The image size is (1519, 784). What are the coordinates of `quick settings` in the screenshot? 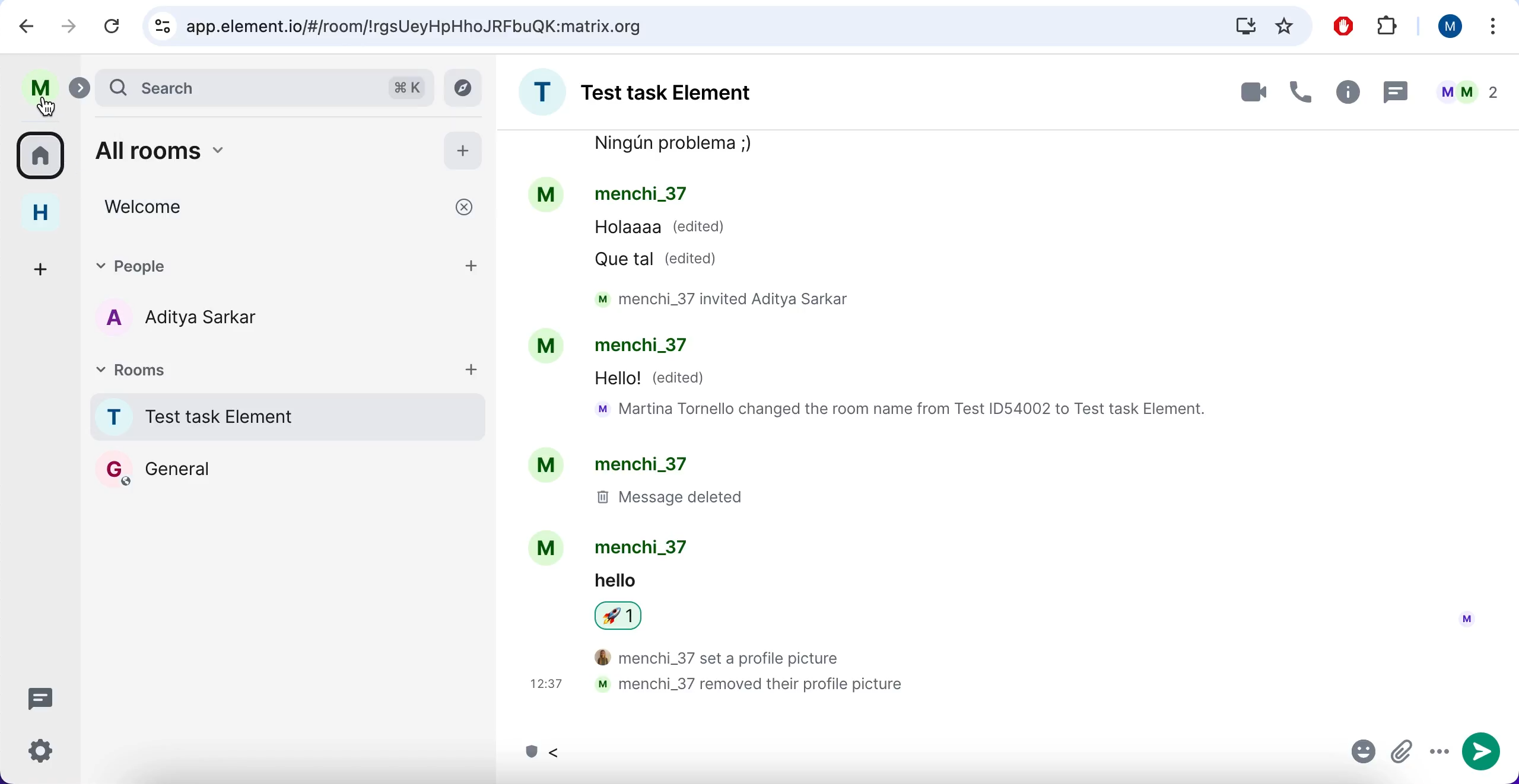 It's located at (42, 751).